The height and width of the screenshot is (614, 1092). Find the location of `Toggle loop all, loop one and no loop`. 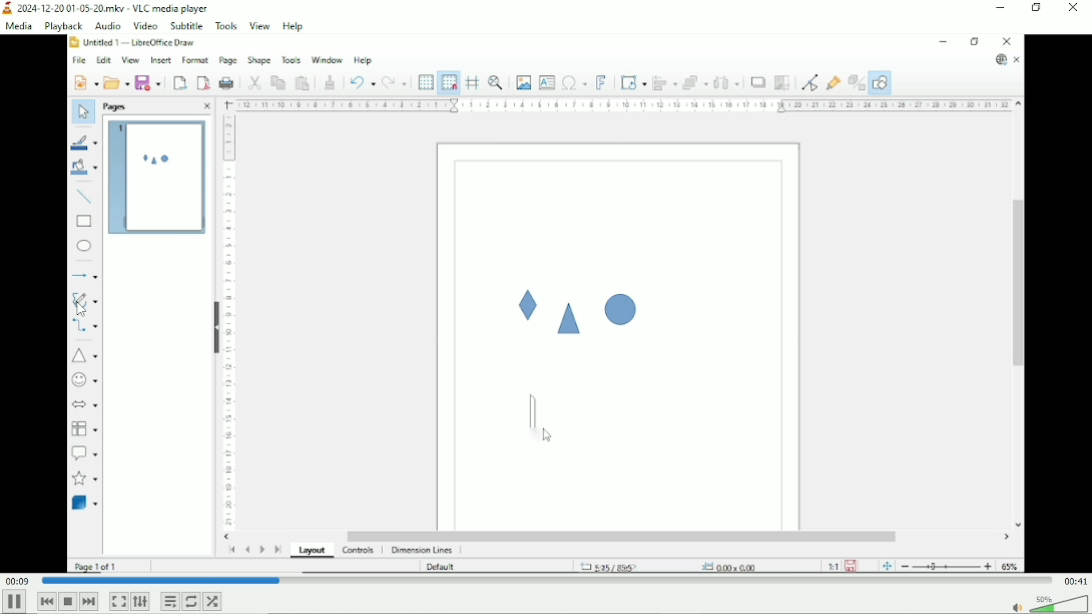

Toggle loop all, loop one and no loop is located at coordinates (190, 601).